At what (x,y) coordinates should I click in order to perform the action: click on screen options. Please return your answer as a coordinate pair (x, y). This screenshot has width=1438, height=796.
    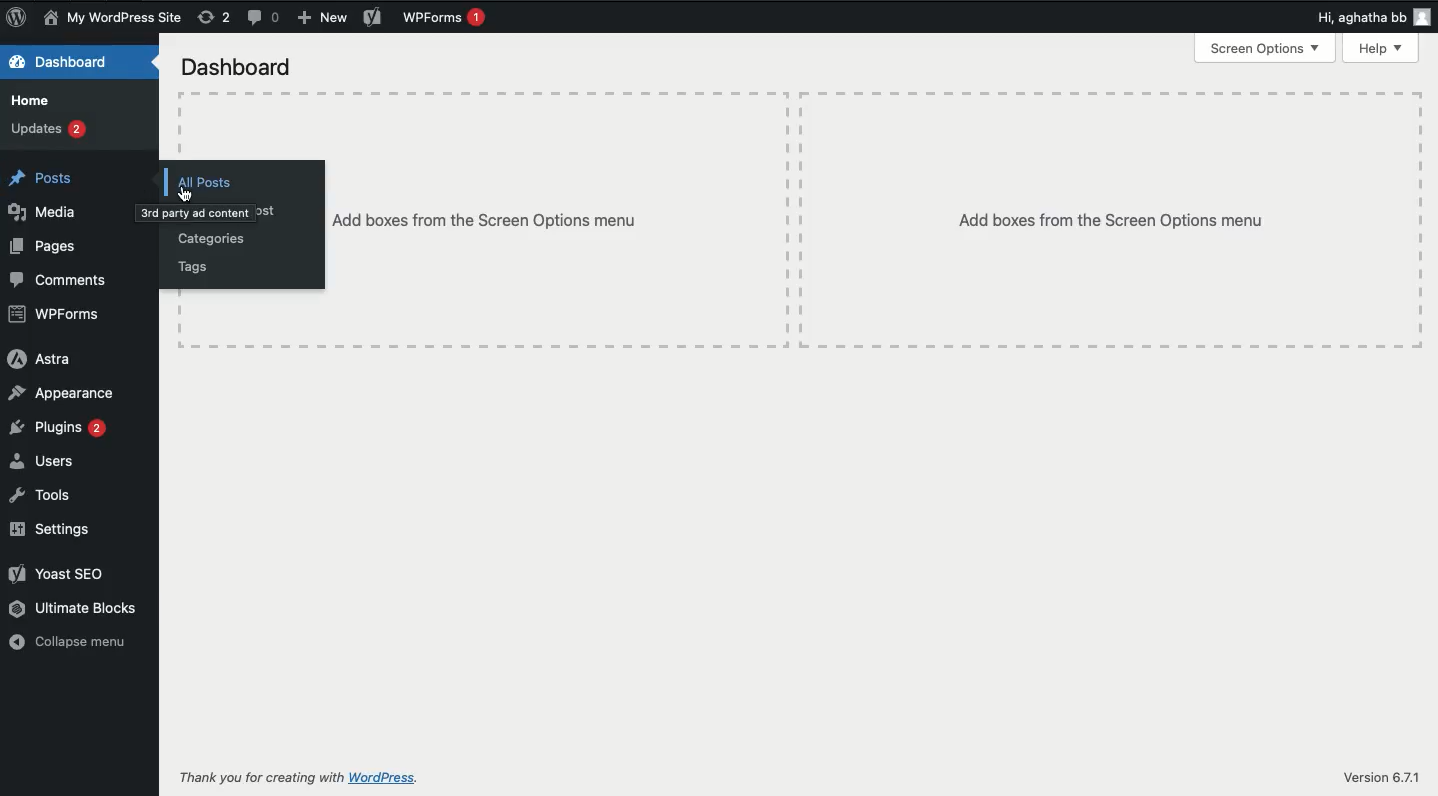
    Looking at the image, I should click on (1266, 48).